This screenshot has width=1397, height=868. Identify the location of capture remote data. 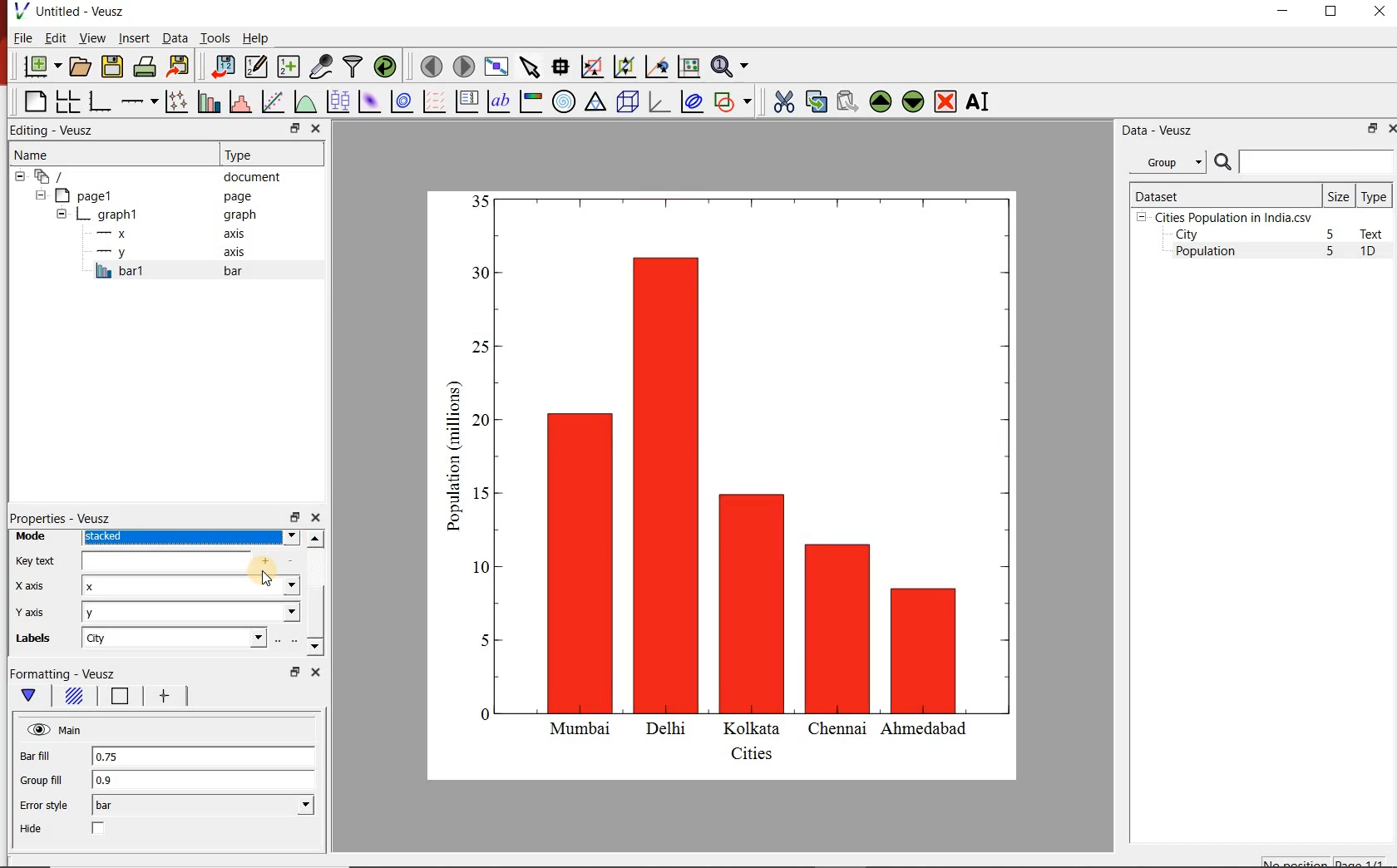
(319, 67).